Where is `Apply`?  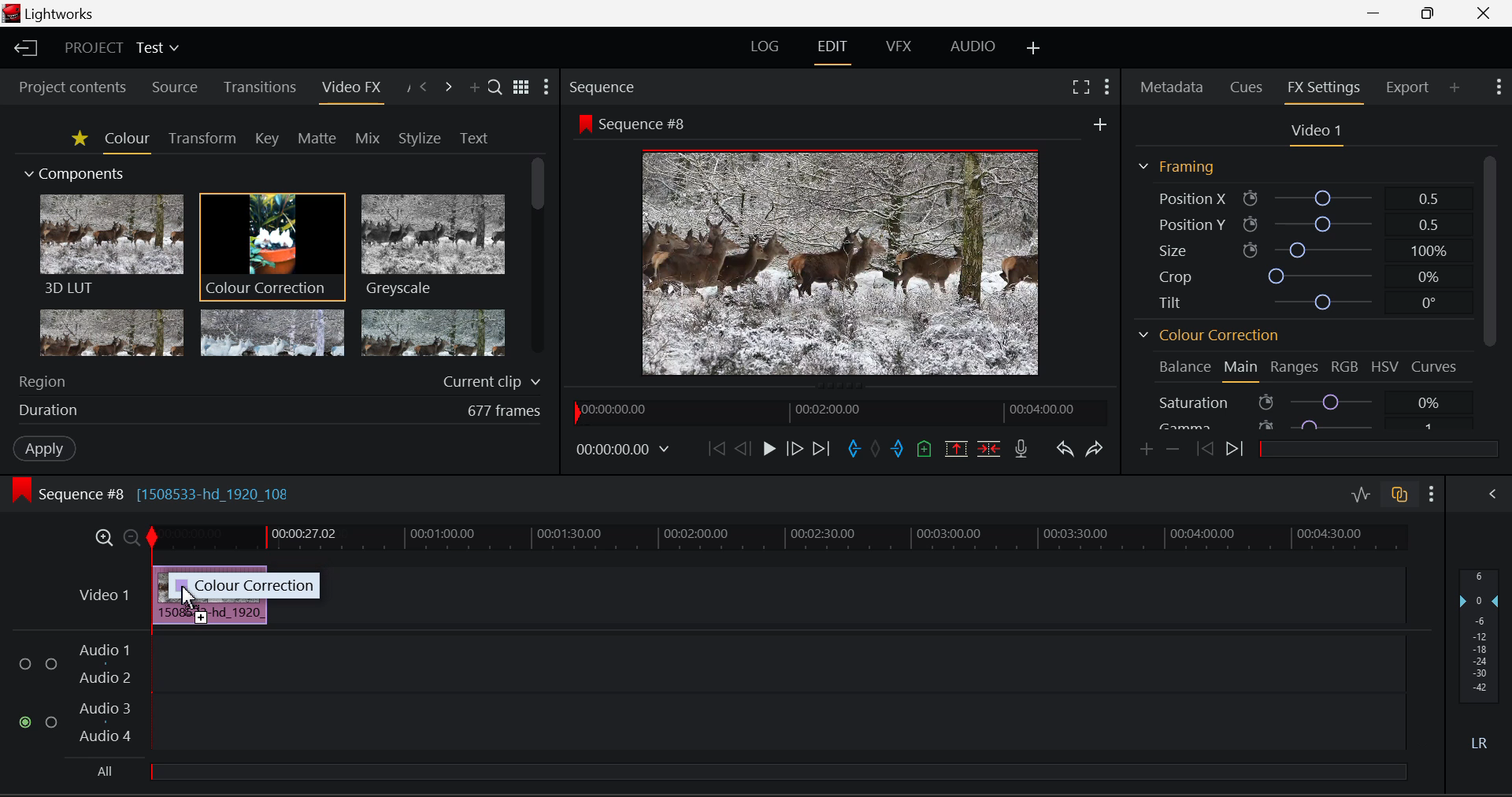
Apply is located at coordinates (46, 448).